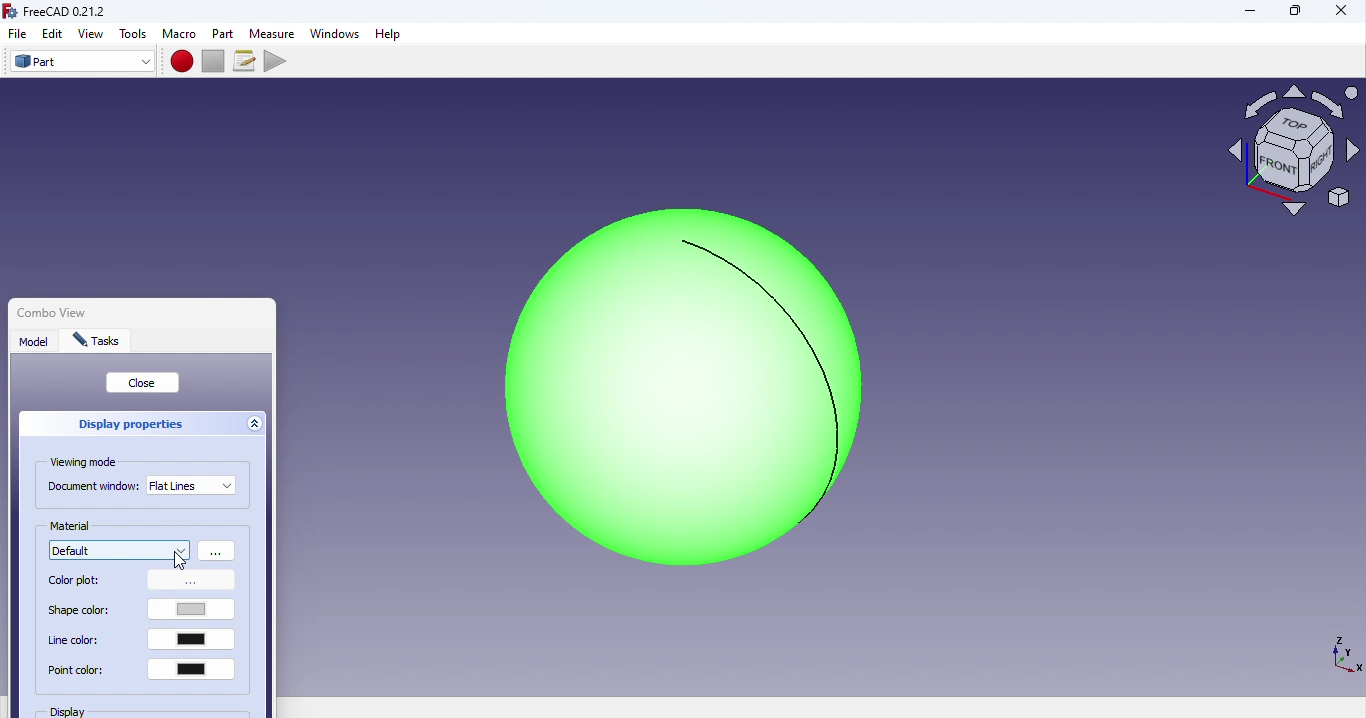  Describe the element at coordinates (144, 383) in the screenshot. I see `Close` at that location.